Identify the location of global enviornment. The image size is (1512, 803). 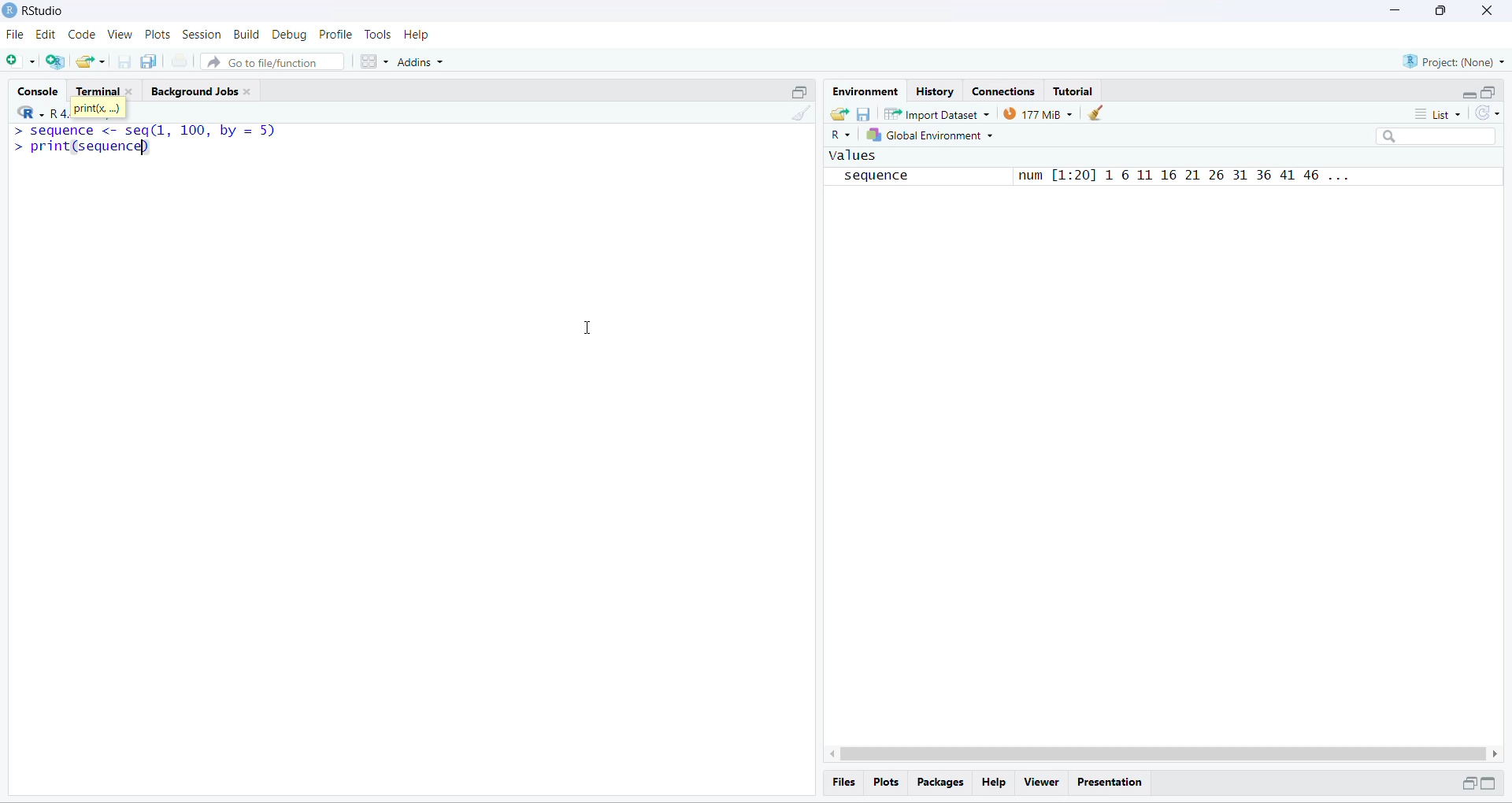
(933, 135).